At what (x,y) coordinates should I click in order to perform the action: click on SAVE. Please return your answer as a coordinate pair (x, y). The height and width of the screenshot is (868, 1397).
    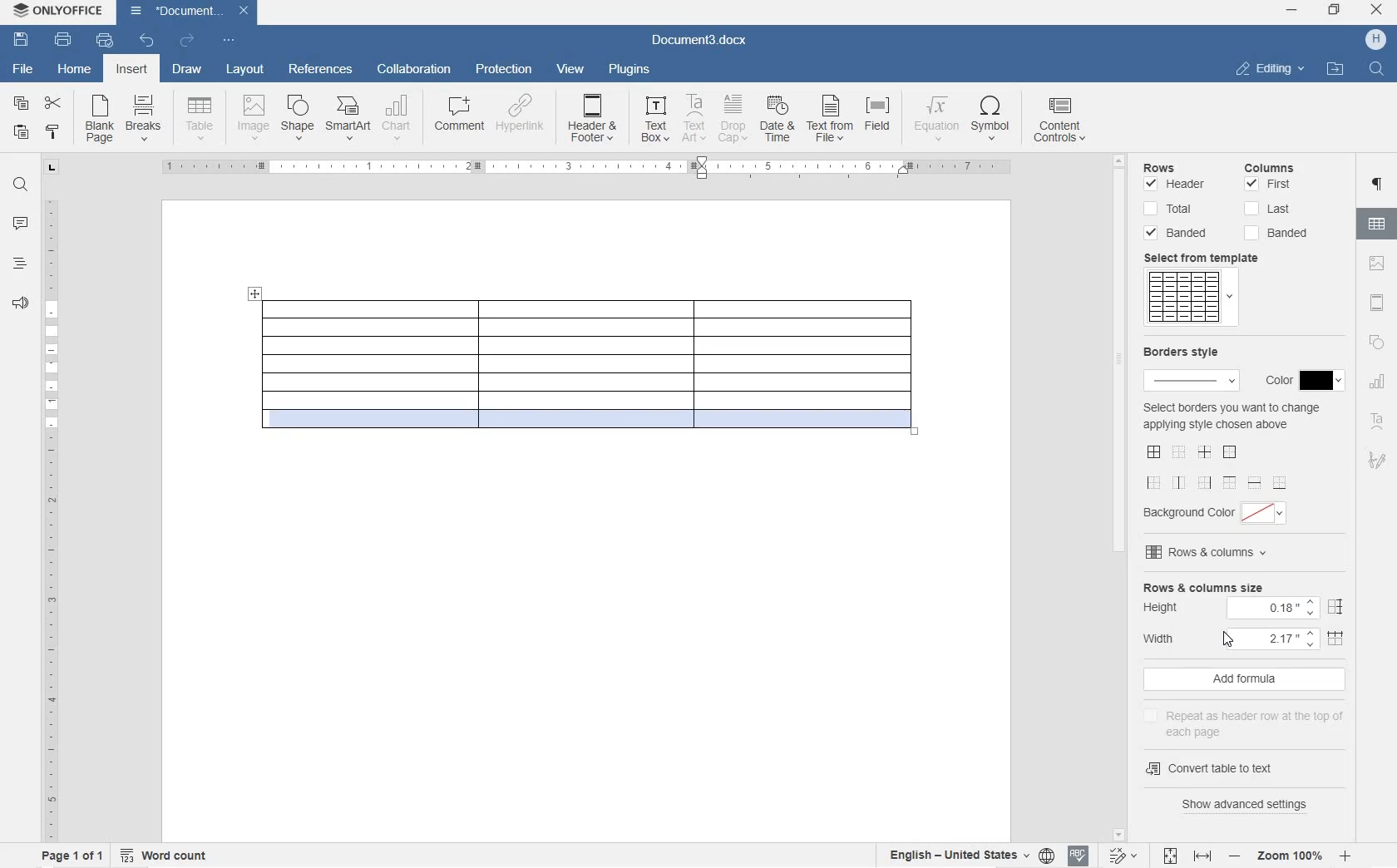
    Looking at the image, I should click on (21, 42).